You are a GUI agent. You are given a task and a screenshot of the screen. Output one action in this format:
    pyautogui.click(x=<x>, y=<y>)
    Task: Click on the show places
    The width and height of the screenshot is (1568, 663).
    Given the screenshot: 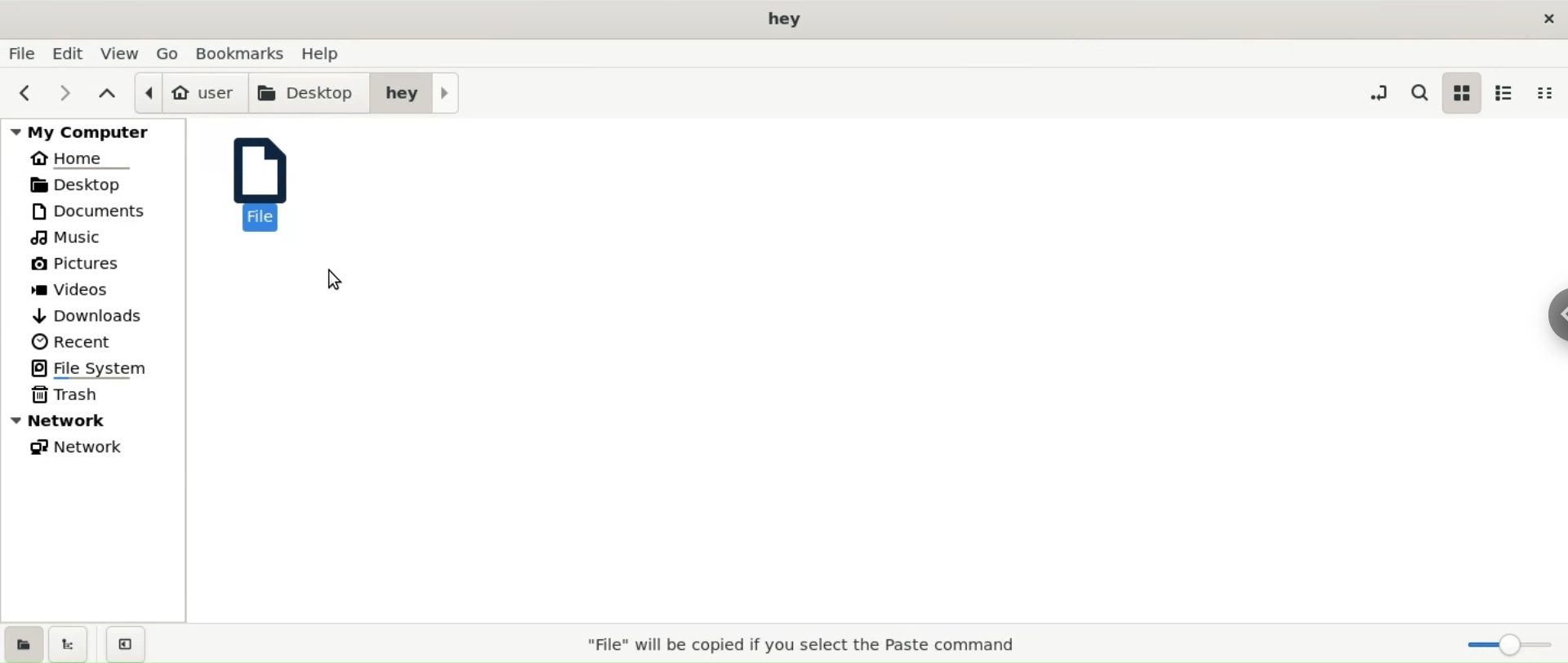 What is the action you would take?
    pyautogui.click(x=21, y=643)
    